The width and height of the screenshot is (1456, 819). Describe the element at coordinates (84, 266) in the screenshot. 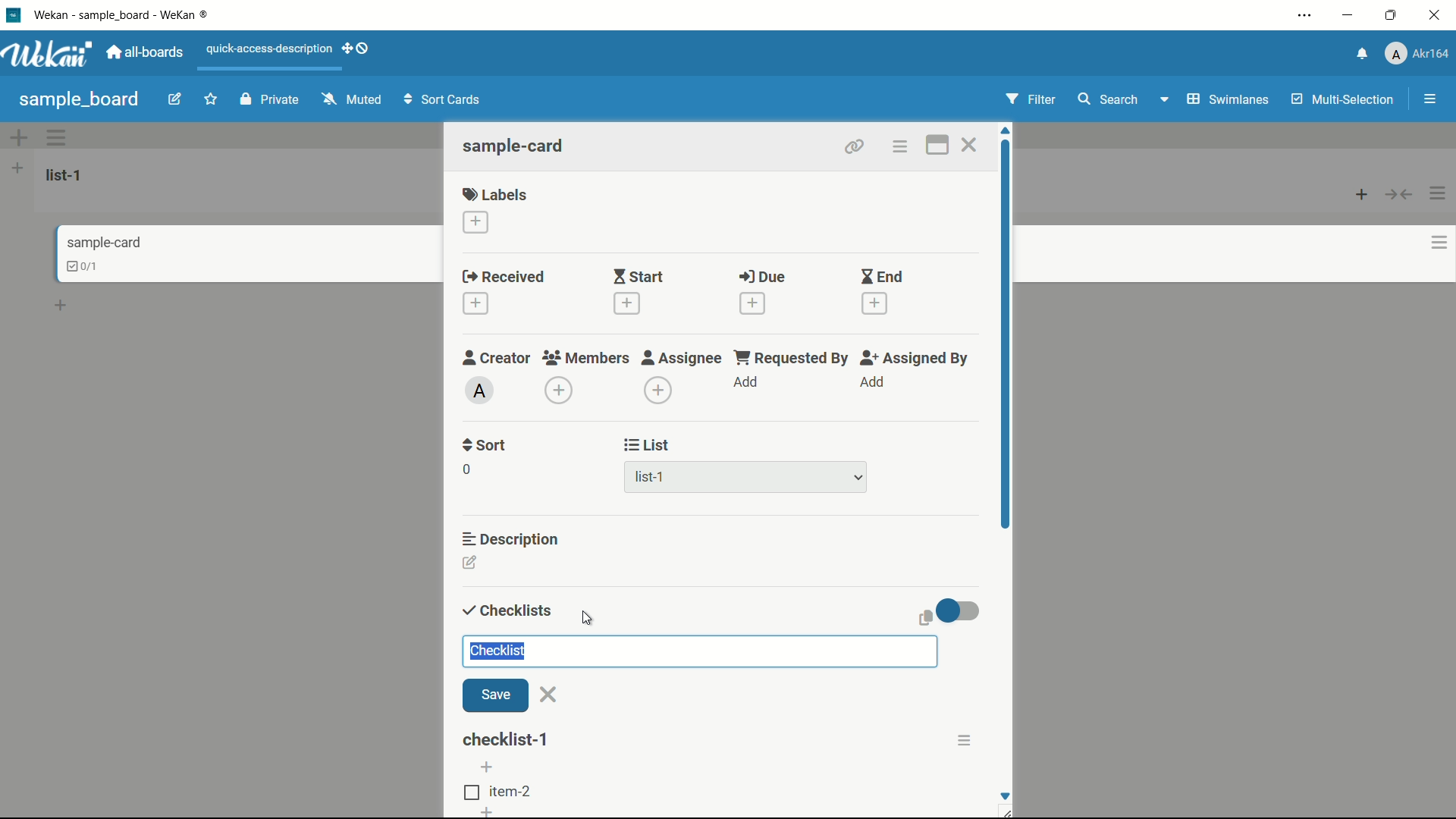

I see `cklist` at that location.